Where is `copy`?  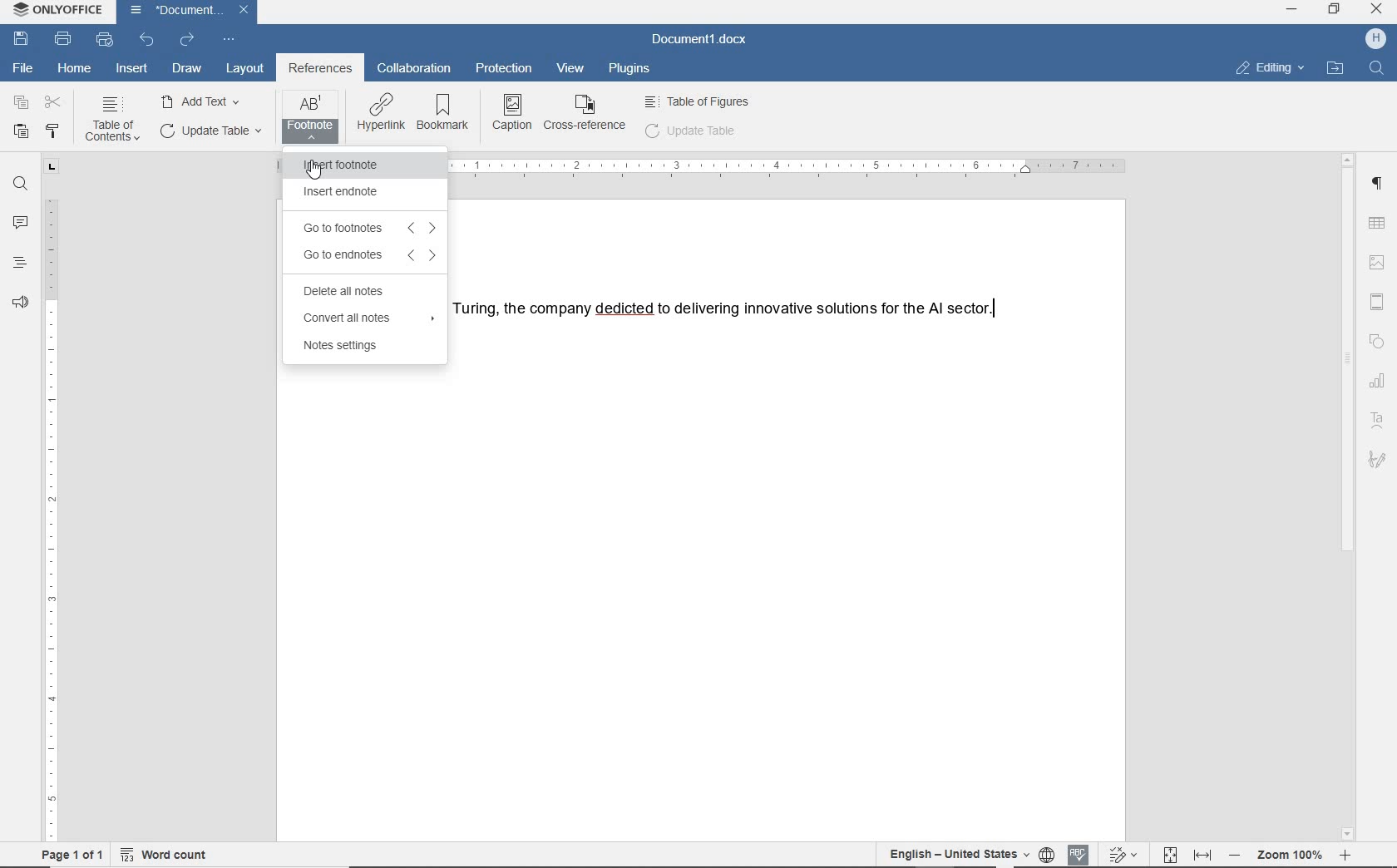
copy is located at coordinates (18, 102).